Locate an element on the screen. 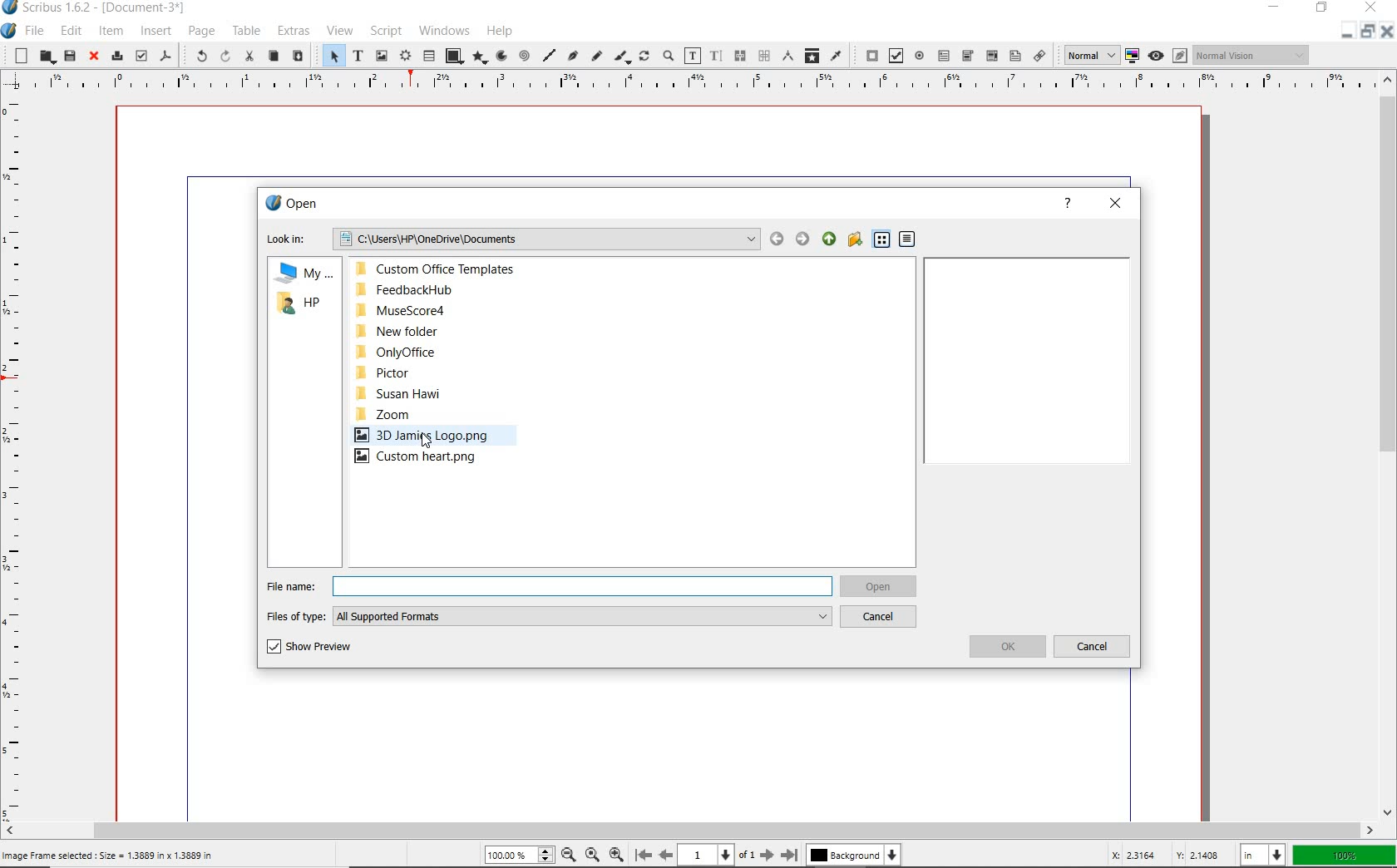 Image resolution: width=1397 pixels, height=868 pixels. CREATE NEW FOLDER is located at coordinates (855, 239).